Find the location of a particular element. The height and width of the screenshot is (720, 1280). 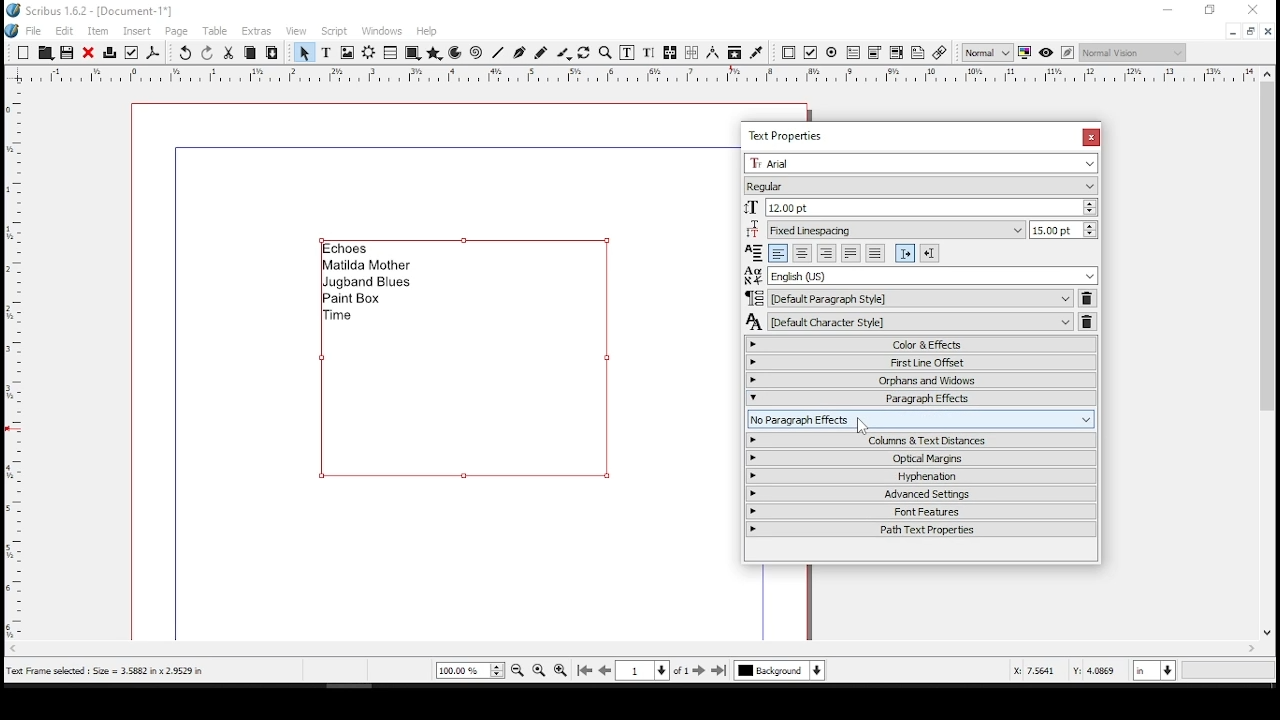

echoes is located at coordinates (349, 248).